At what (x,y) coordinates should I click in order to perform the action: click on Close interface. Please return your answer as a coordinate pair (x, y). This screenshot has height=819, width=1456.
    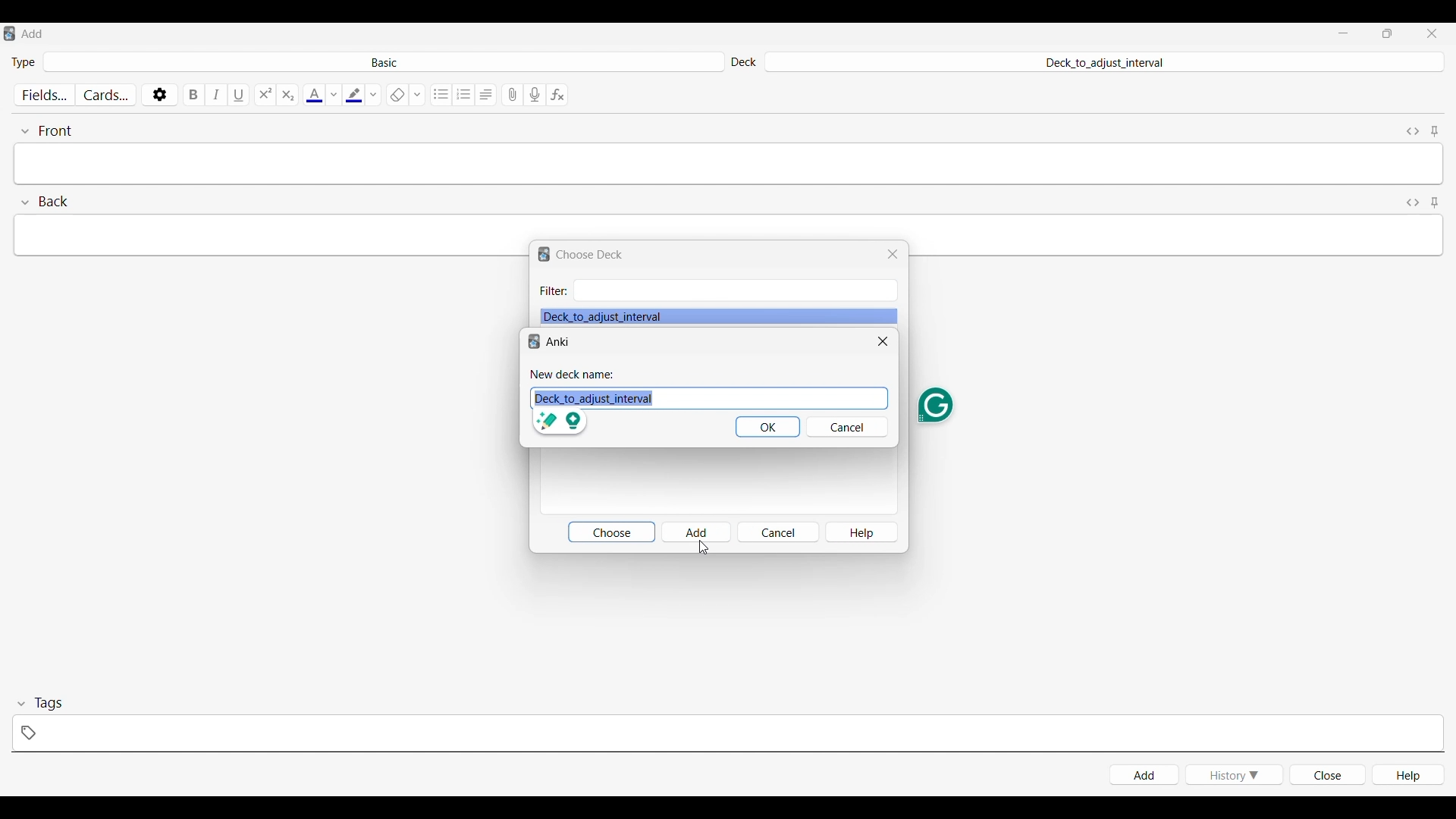
    Looking at the image, I should click on (1432, 33).